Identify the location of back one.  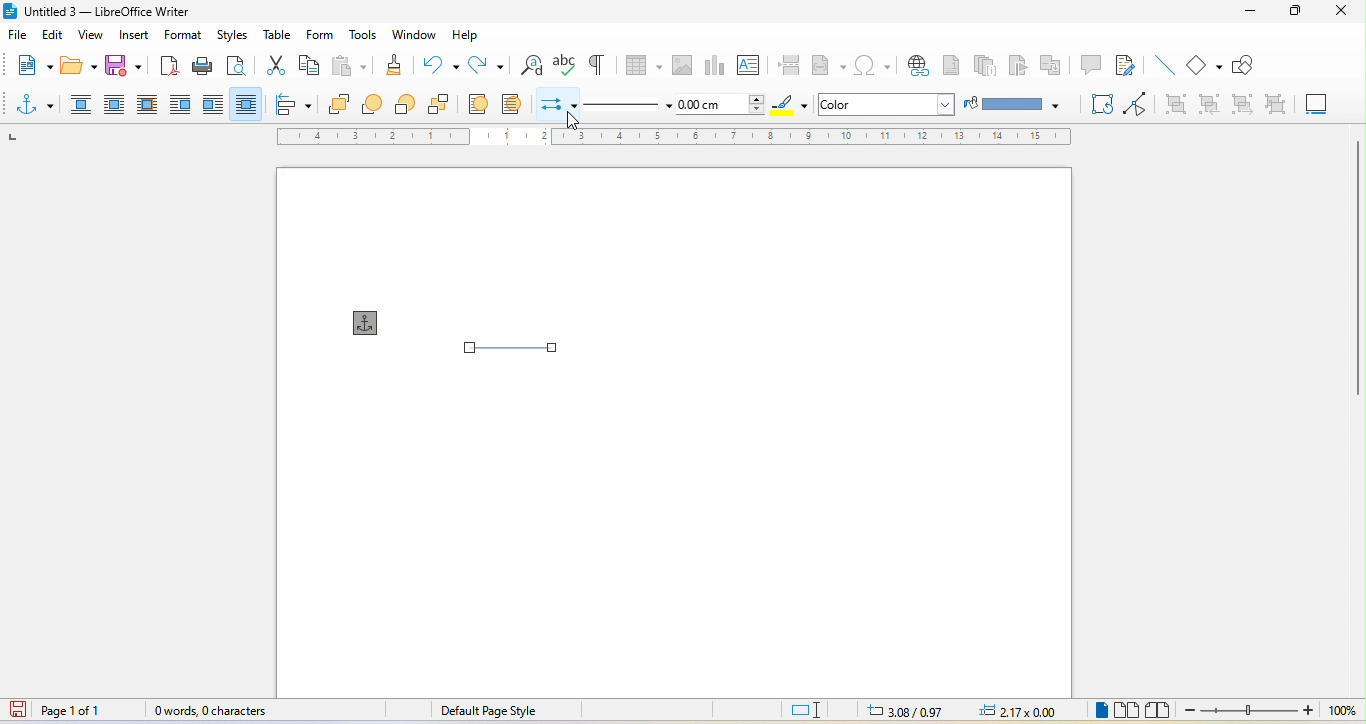
(407, 106).